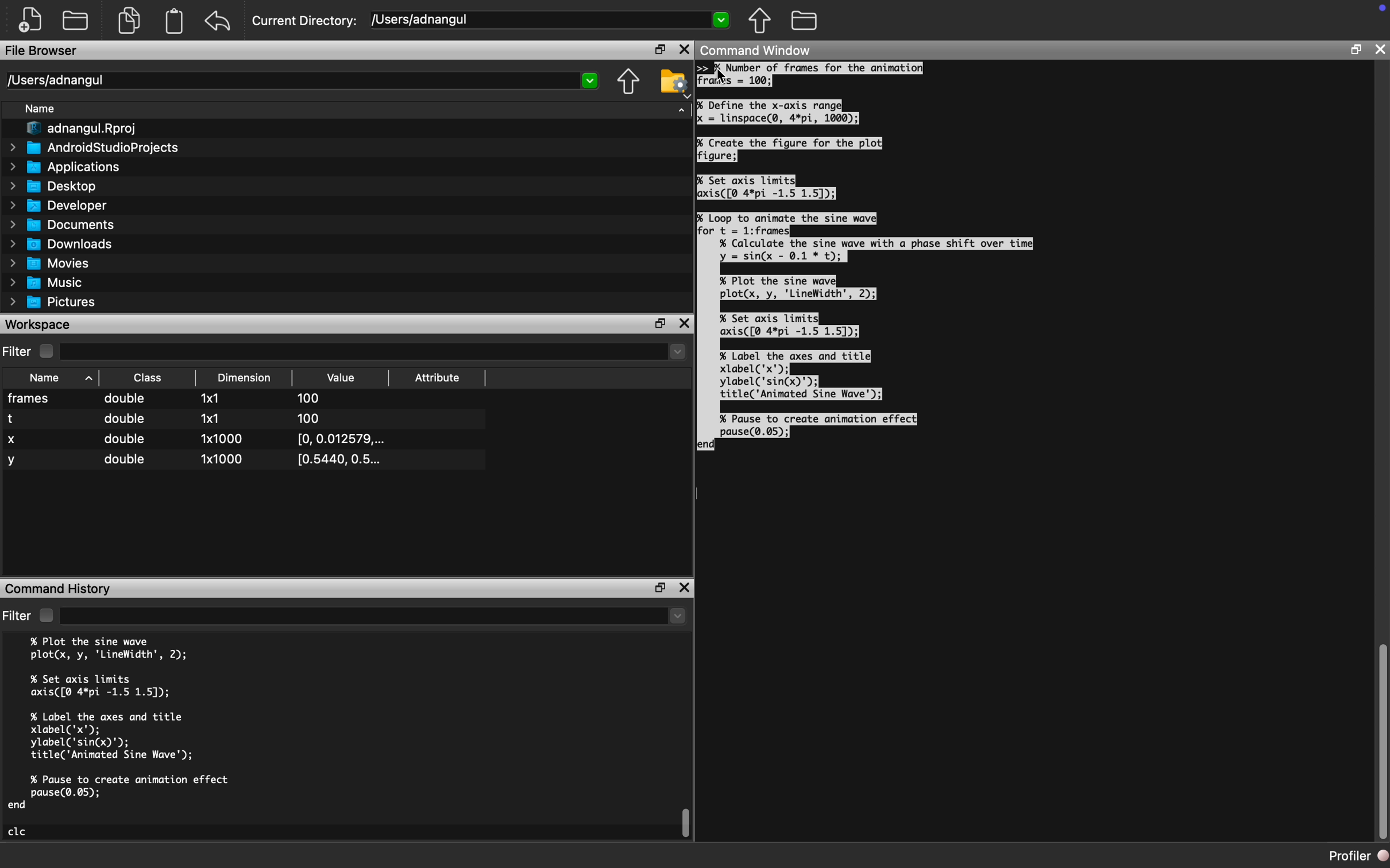 The width and height of the screenshot is (1390, 868). I want to click on  Number of frames for the animation)Fras = 100;, so click(818, 76).